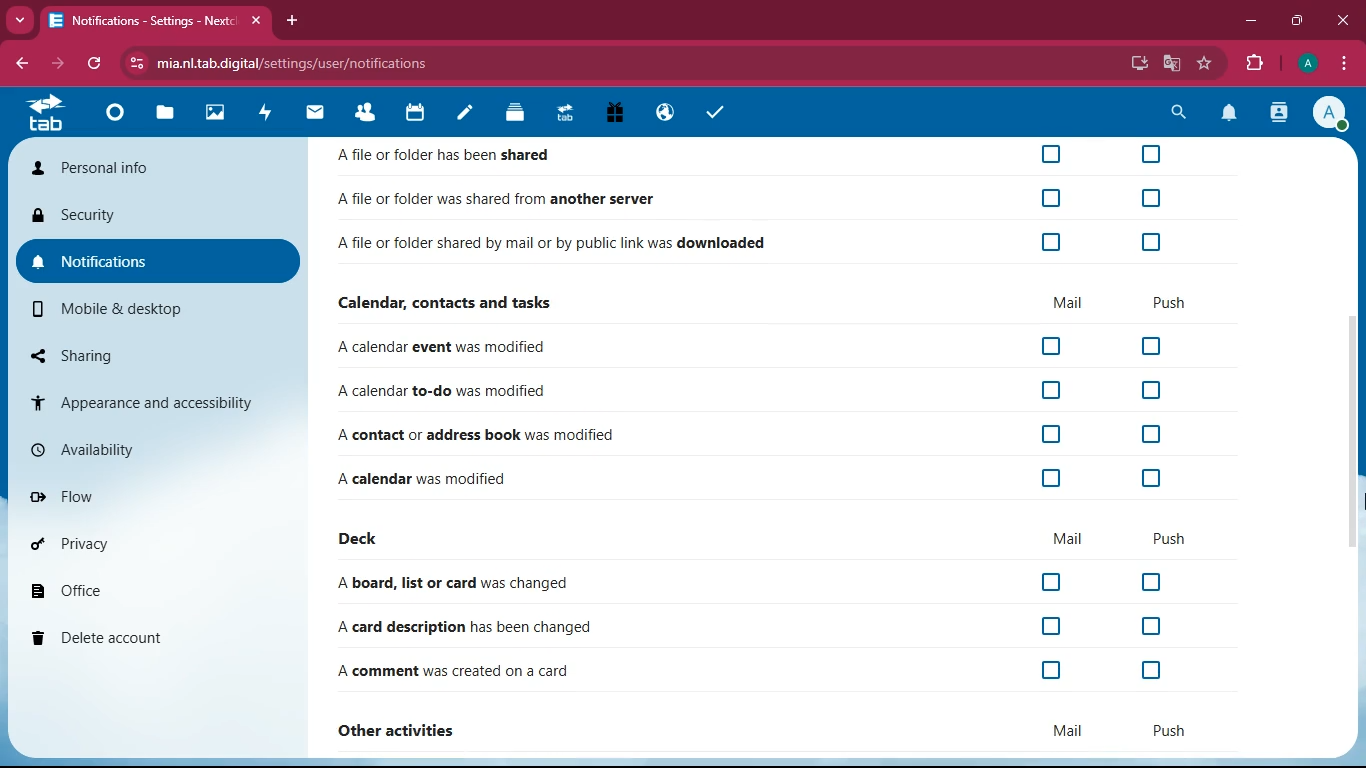 The height and width of the screenshot is (768, 1366). What do you see at coordinates (1054, 195) in the screenshot?
I see `off` at bounding box center [1054, 195].